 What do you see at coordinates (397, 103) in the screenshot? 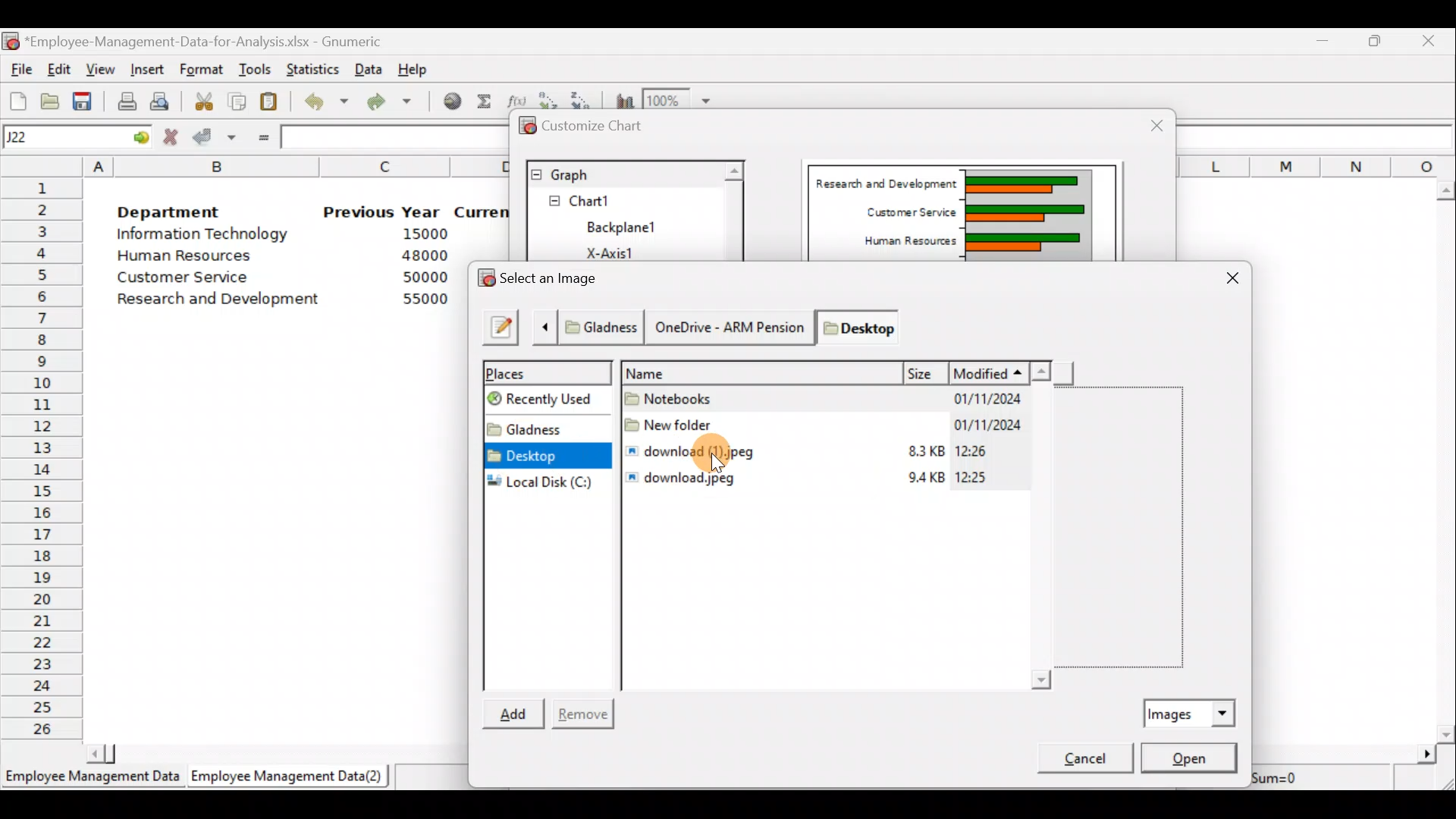
I see `Redo undone action` at bounding box center [397, 103].